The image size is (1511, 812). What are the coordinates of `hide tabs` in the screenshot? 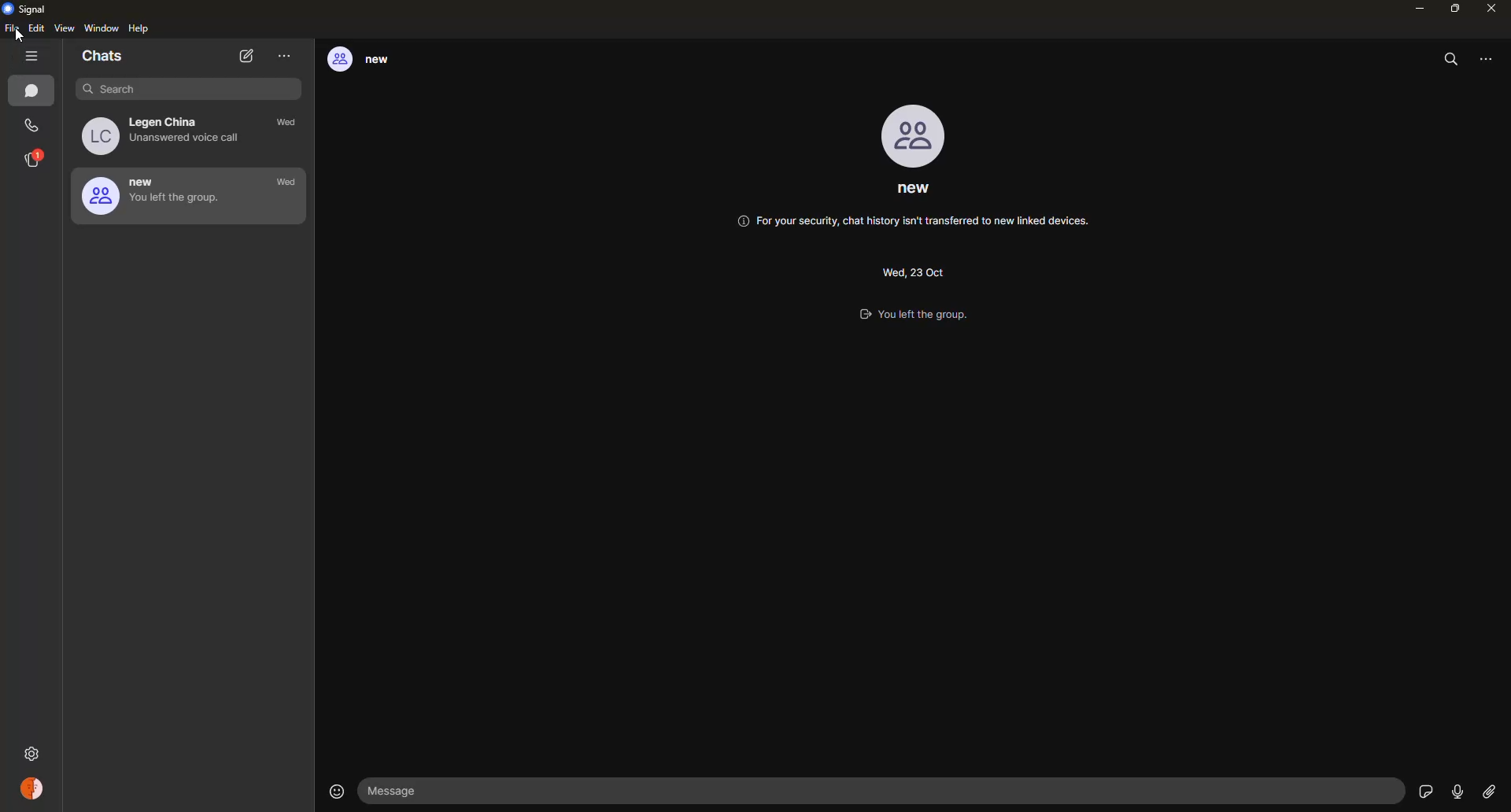 It's located at (35, 57).